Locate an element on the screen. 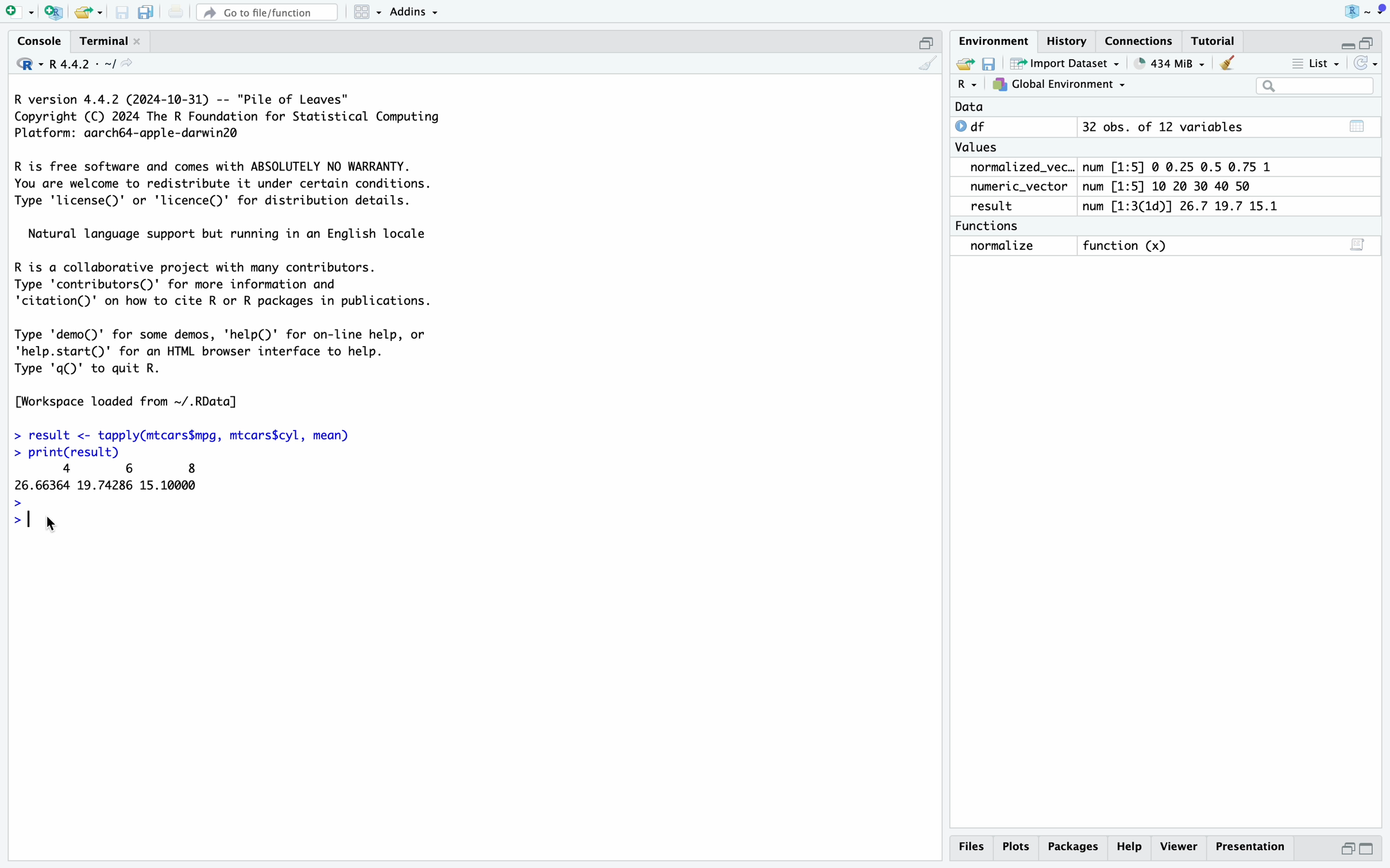  Addins is located at coordinates (415, 10).